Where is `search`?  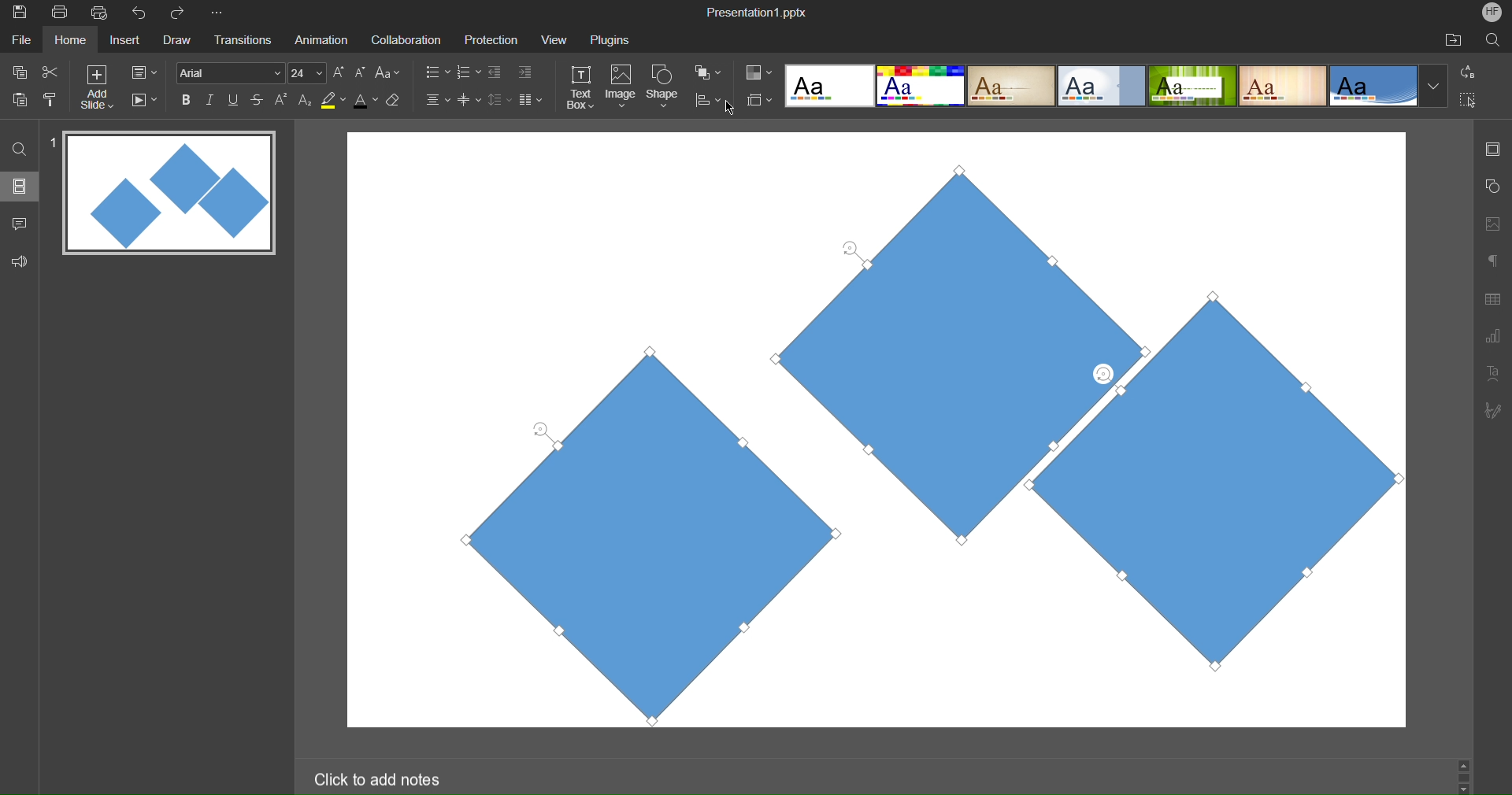 search is located at coordinates (1495, 39).